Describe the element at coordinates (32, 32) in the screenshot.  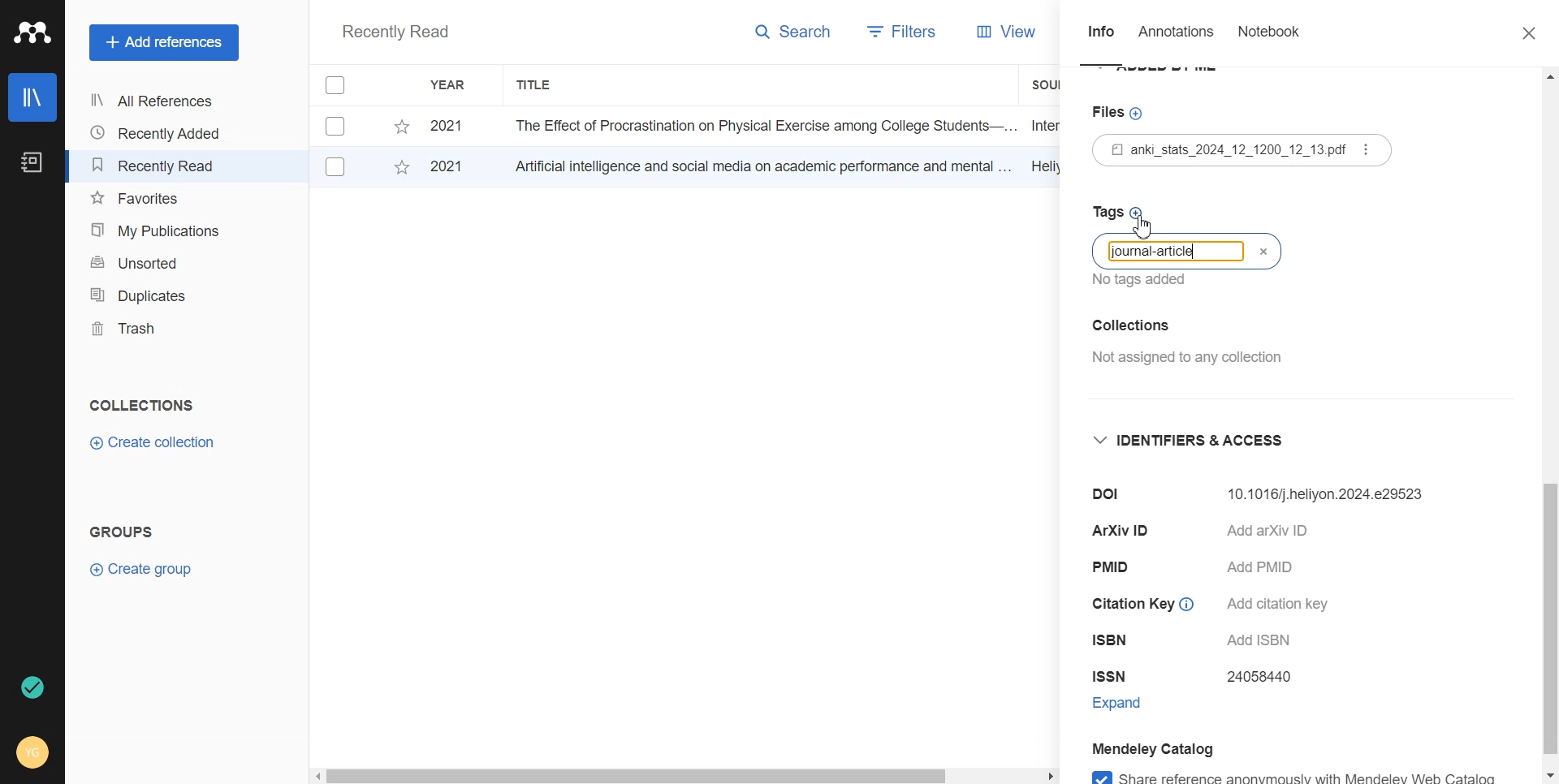
I see `Logo` at that location.